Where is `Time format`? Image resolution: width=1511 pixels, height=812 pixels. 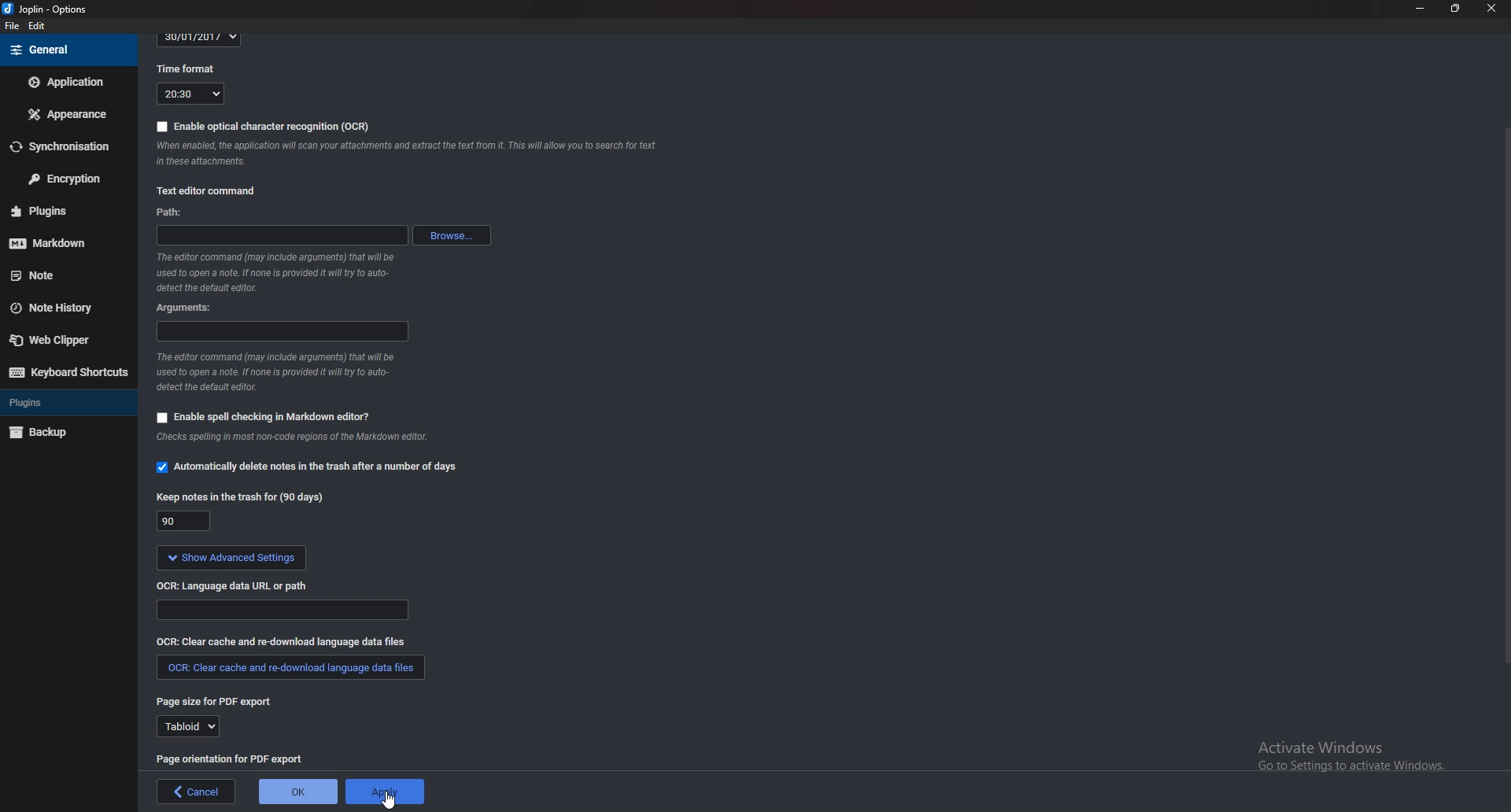 Time format is located at coordinates (191, 68).